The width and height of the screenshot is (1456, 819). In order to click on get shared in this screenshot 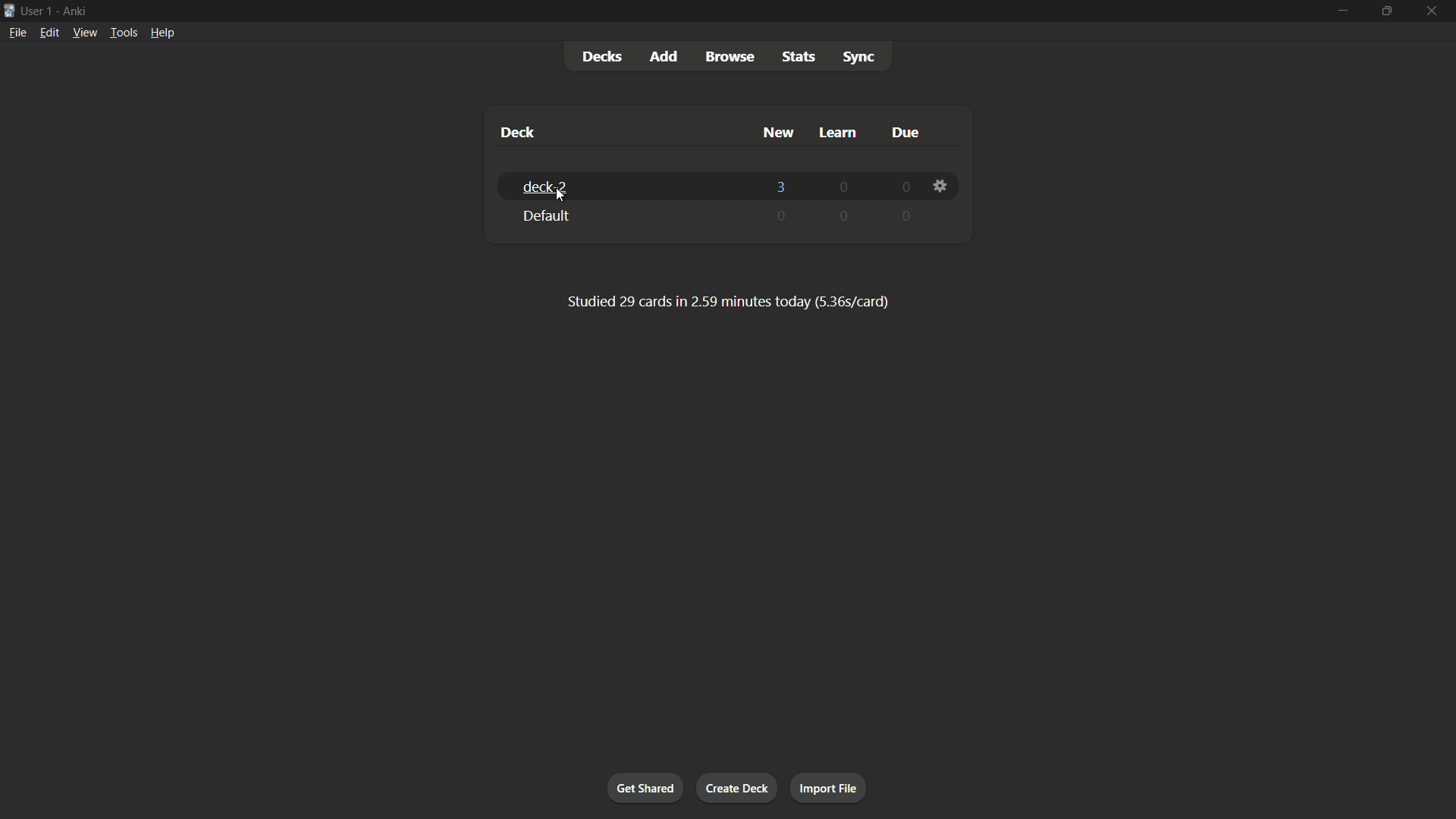, I will do `click(645, 788)`.